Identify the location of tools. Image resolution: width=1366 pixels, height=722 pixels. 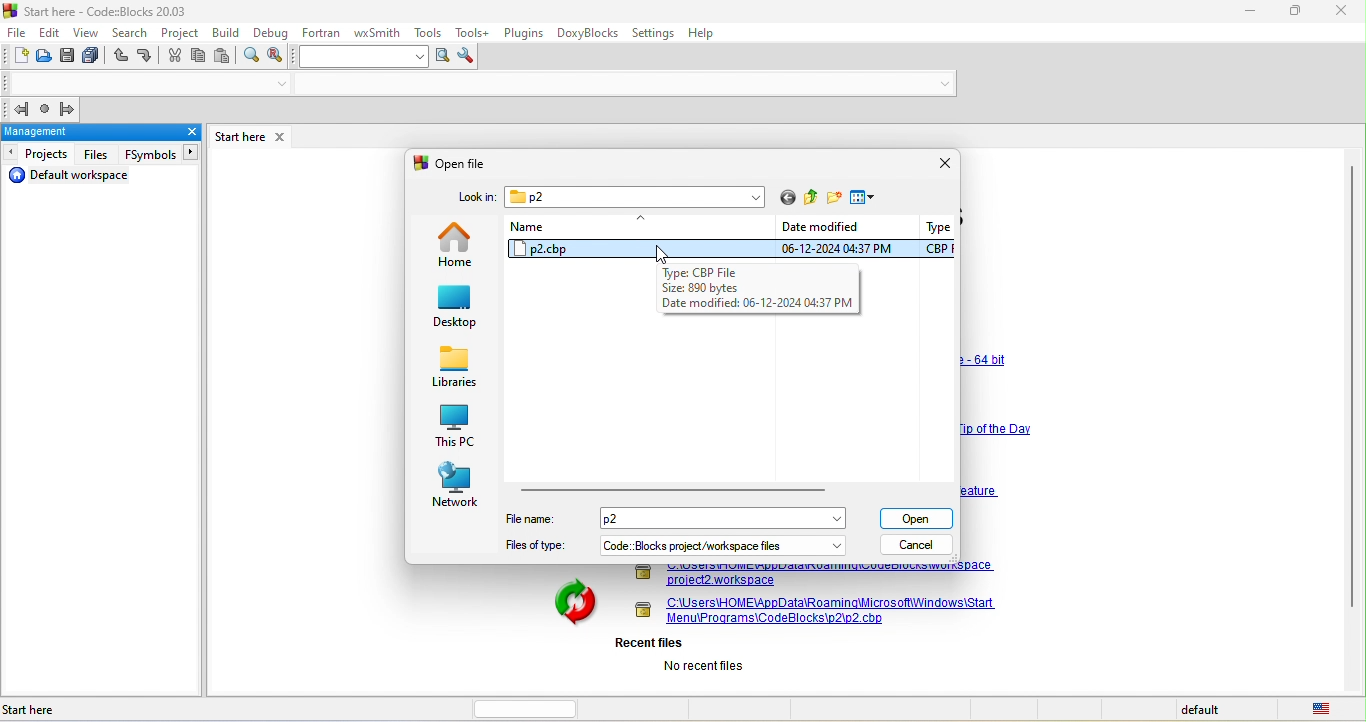
(428, 32).